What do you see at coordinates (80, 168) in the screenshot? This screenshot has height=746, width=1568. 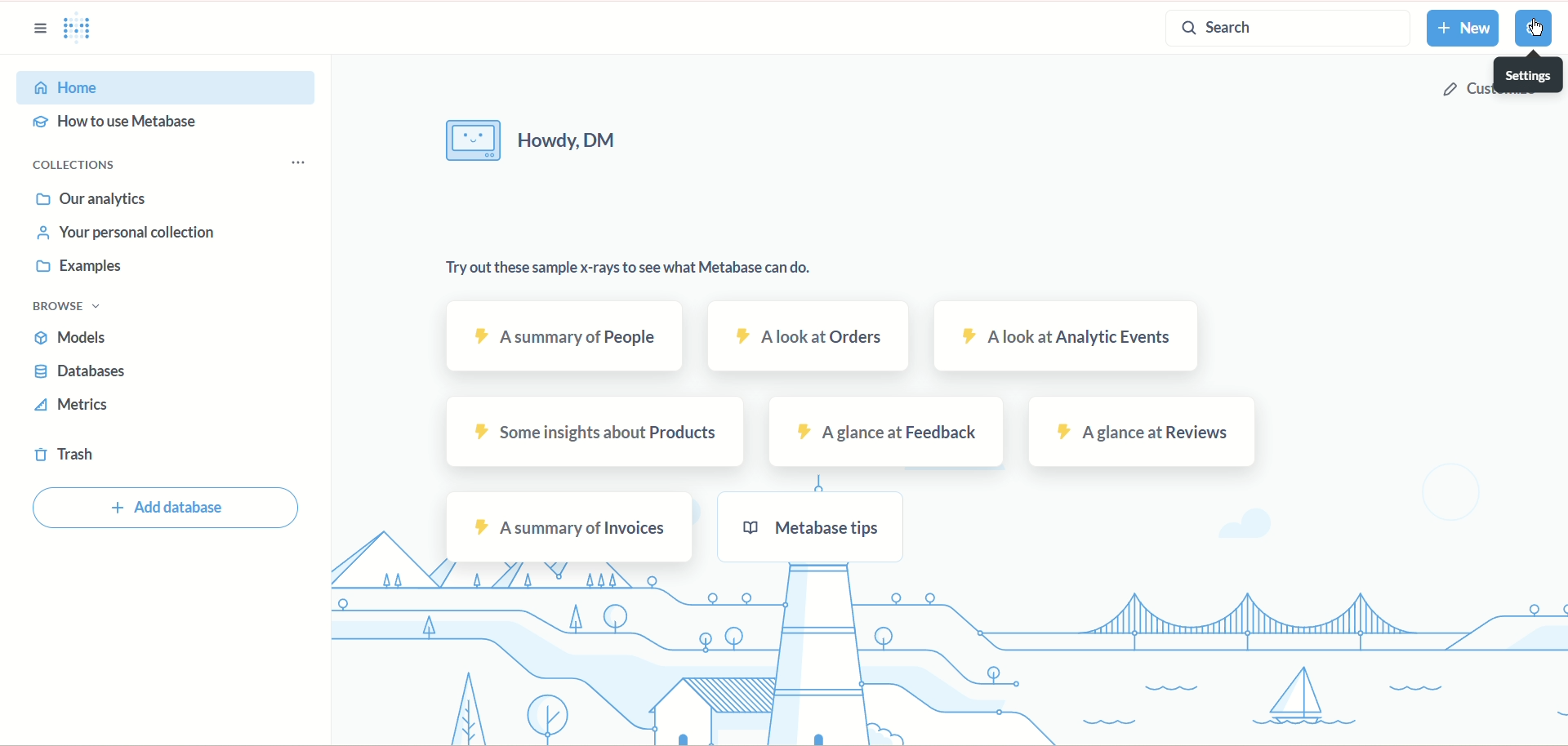 I see `collections` at bounding box center [80, 168].